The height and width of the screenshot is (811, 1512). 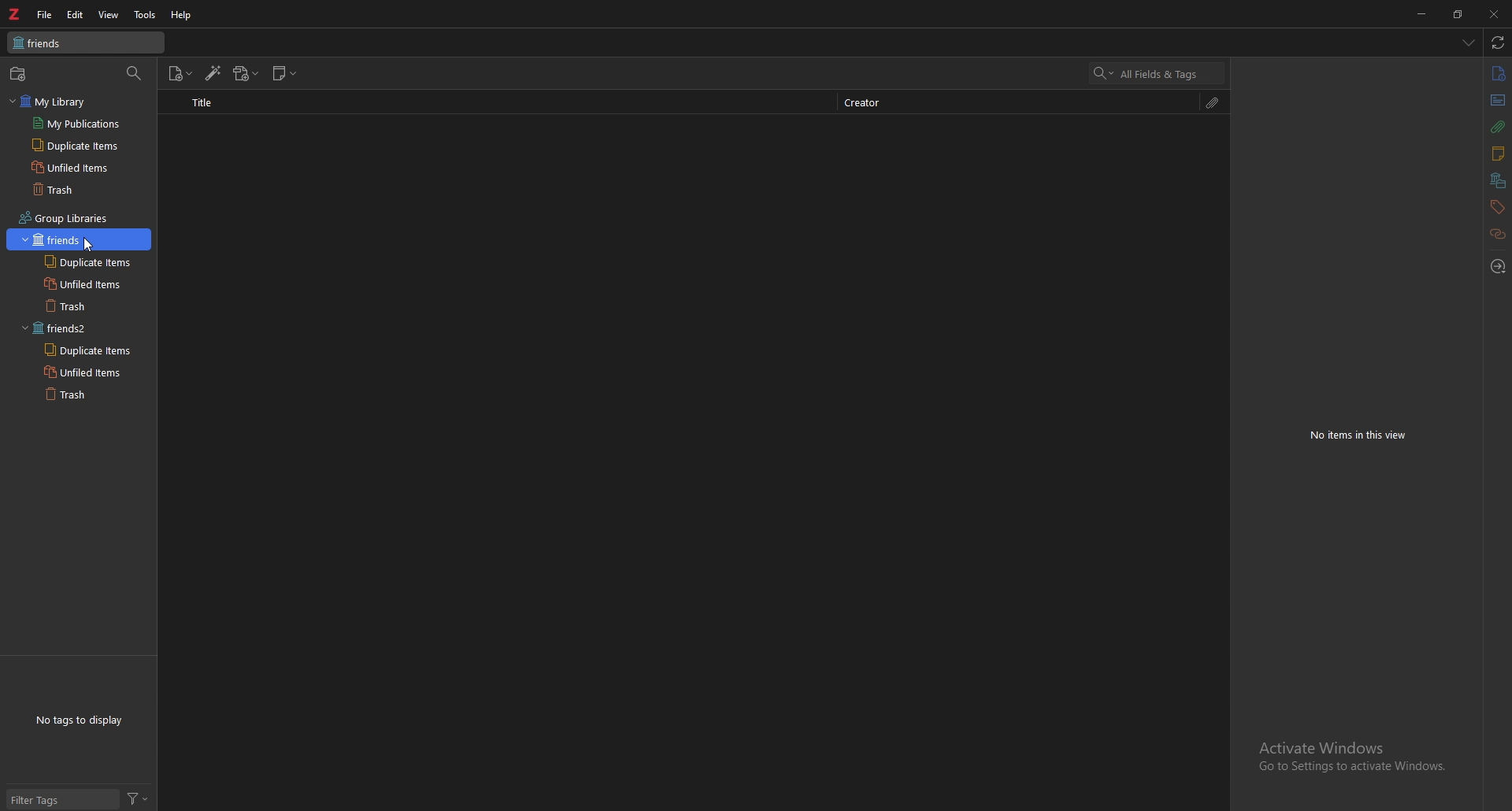 I want to click on my publications, so click(x=84, y=123).